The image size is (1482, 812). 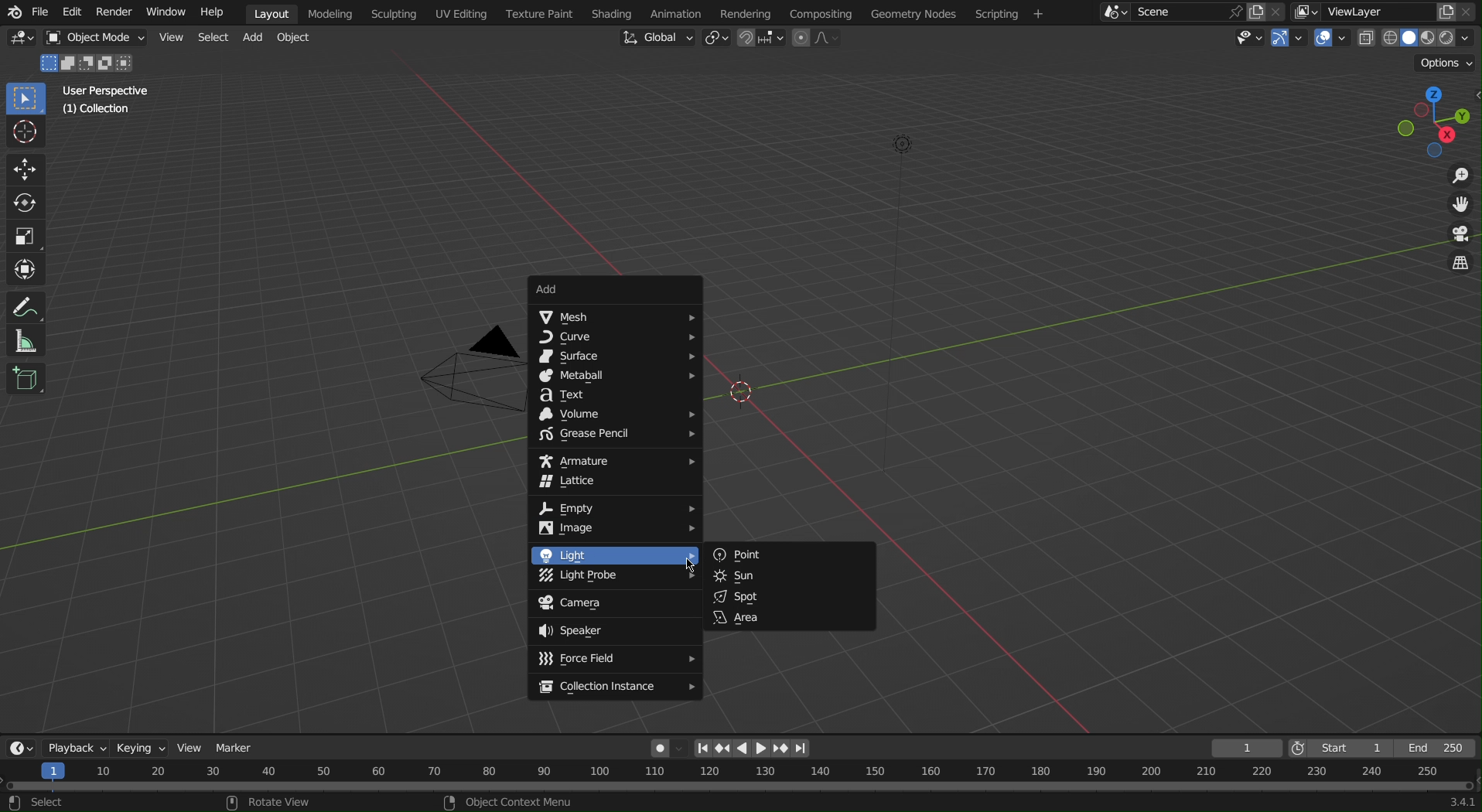 I want to click on Window, so click(x=164, y=13).